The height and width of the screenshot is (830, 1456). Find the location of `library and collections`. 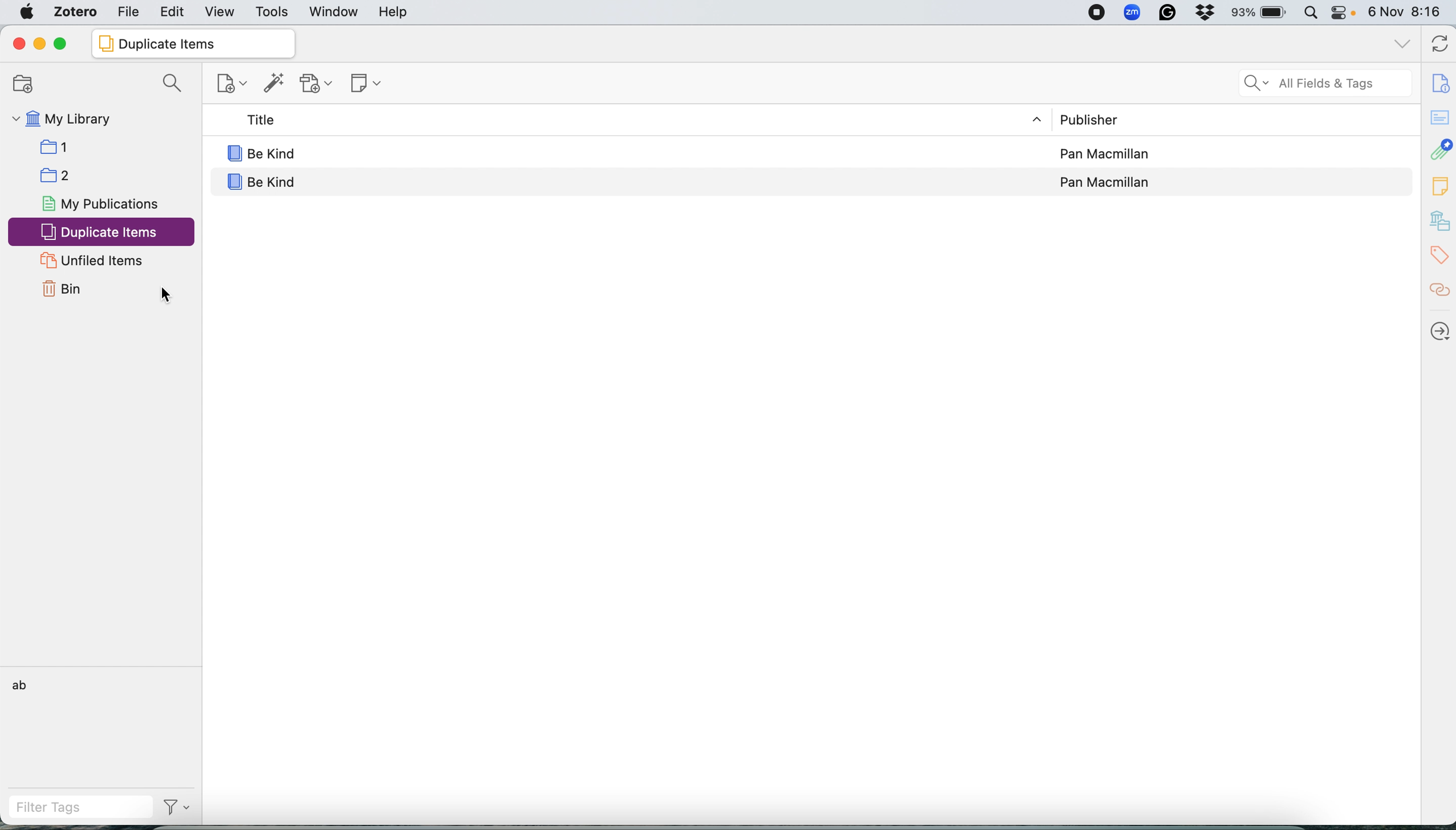

library and collections is located at coordinates (1439, 222).